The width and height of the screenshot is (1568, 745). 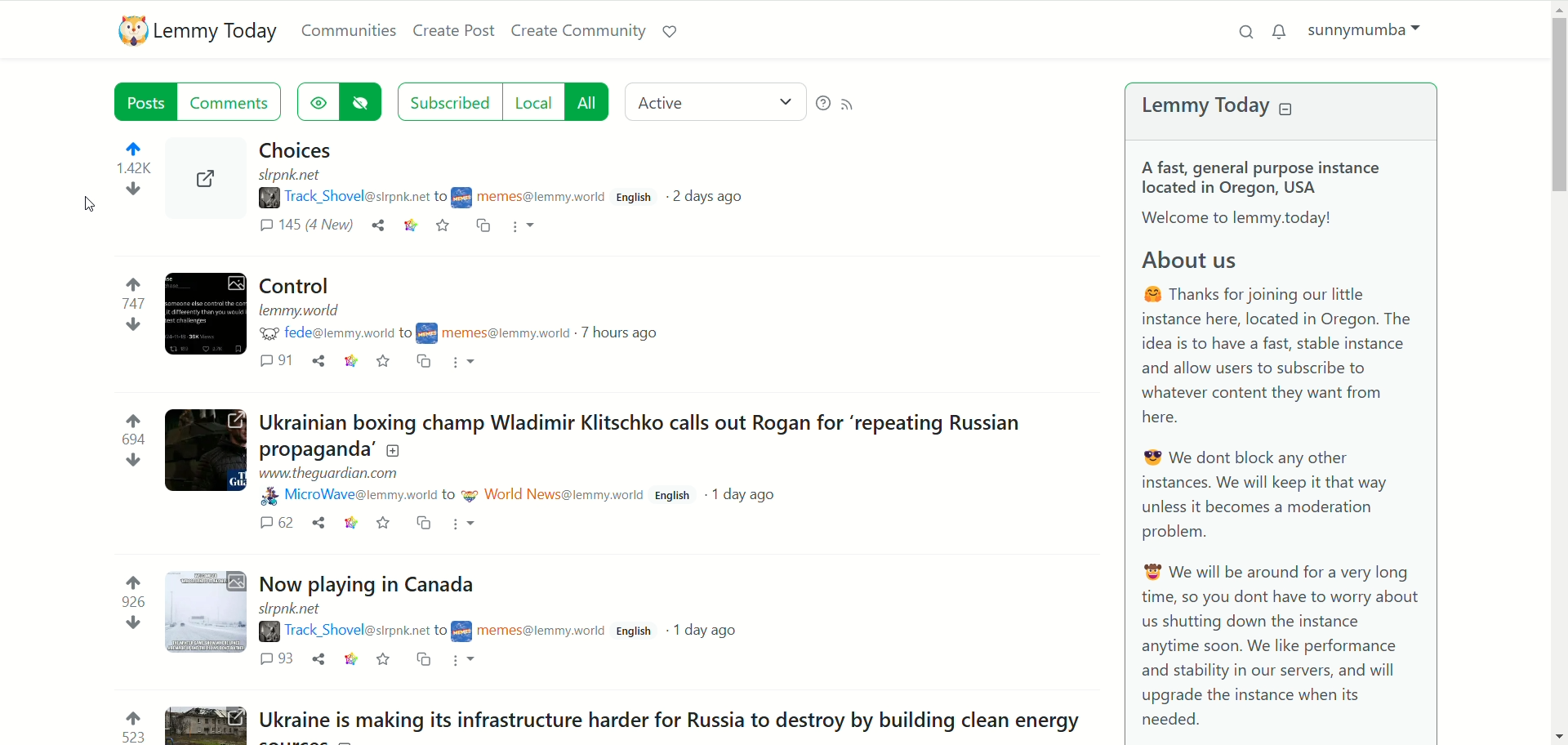 I want to click on Post - Now playing in Canada, so click(x=377, y=587).